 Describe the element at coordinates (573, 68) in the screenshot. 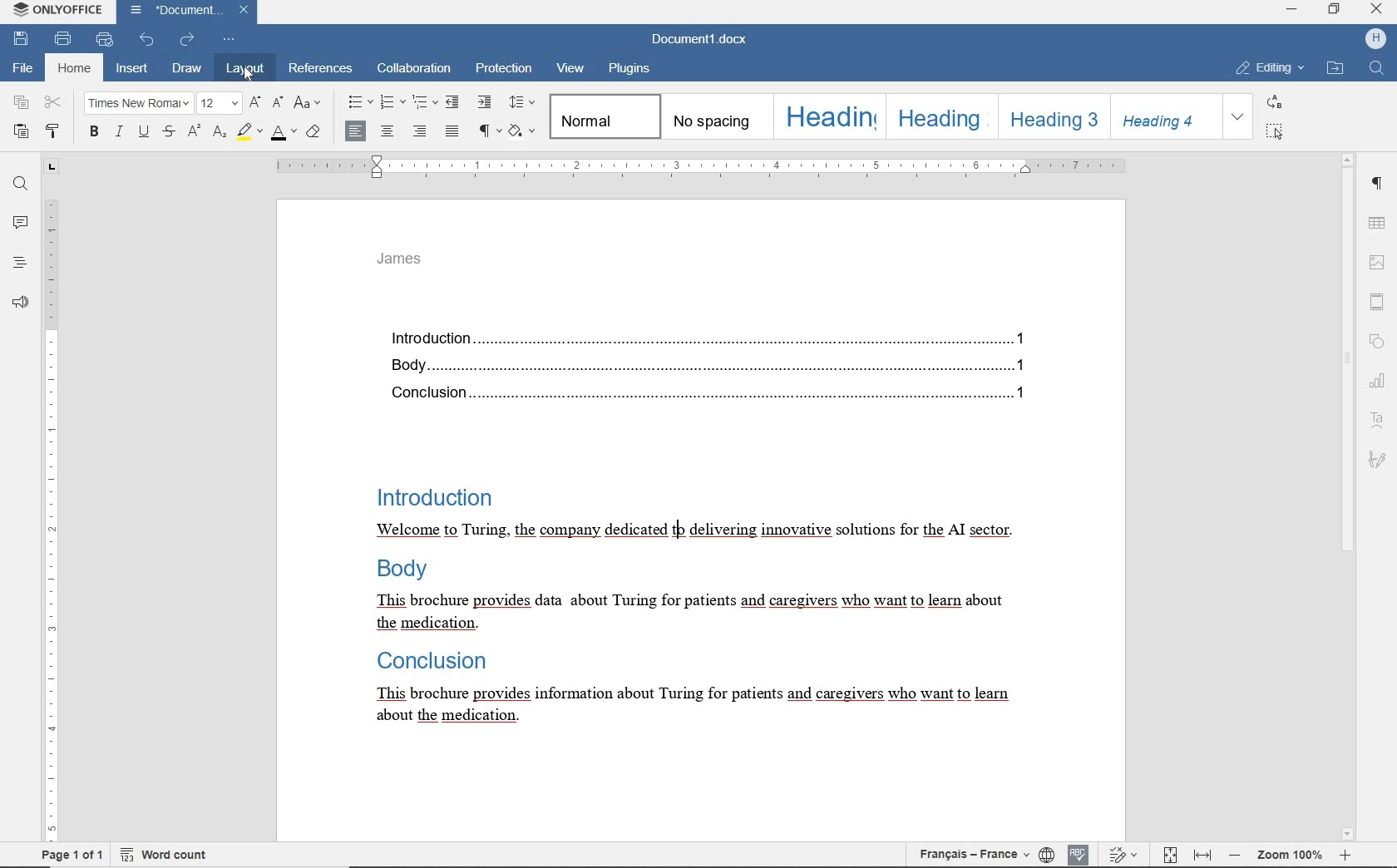

I see `view` at that location.